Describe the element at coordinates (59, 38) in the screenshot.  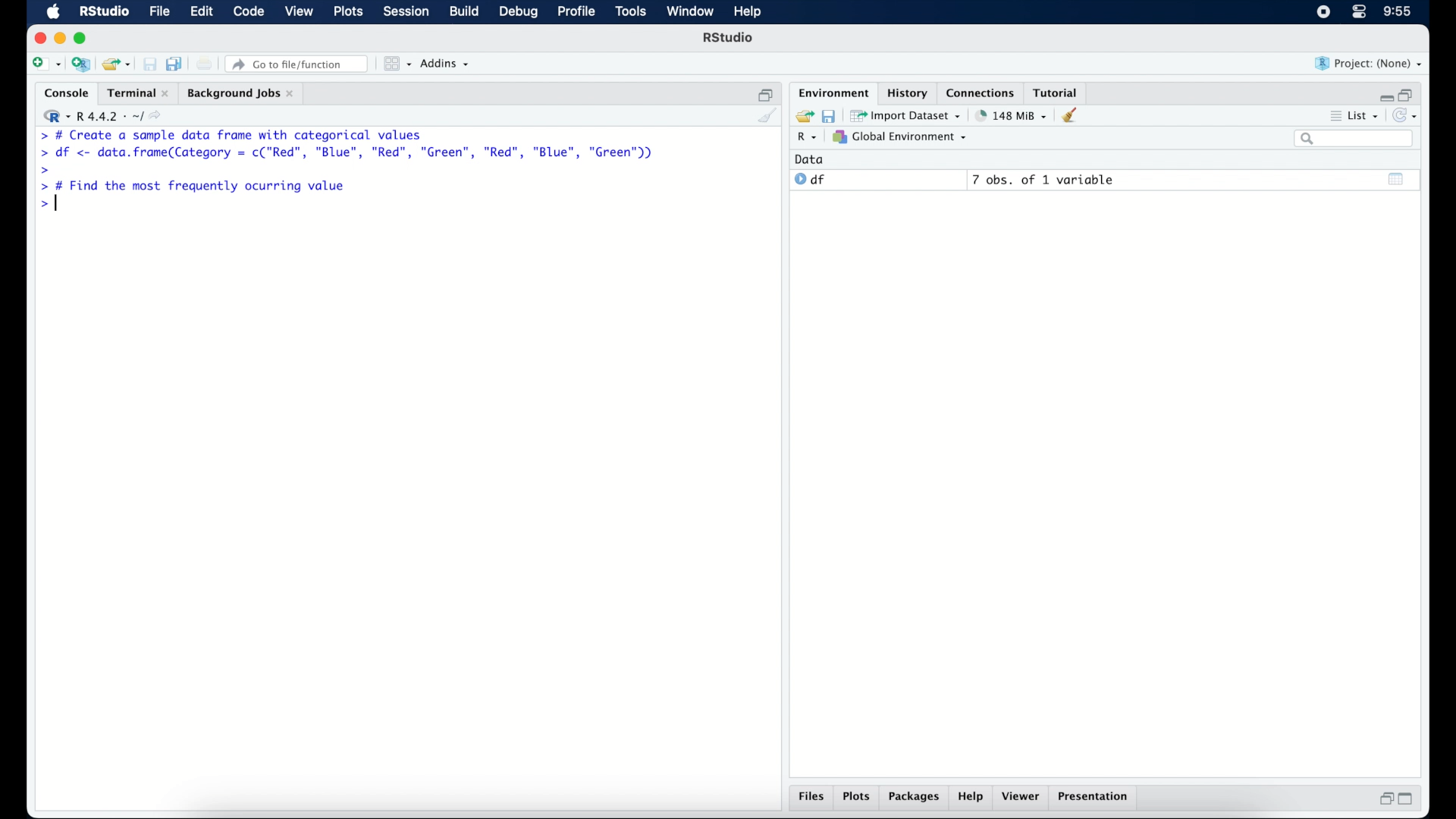
I see `minimzie` at that location.